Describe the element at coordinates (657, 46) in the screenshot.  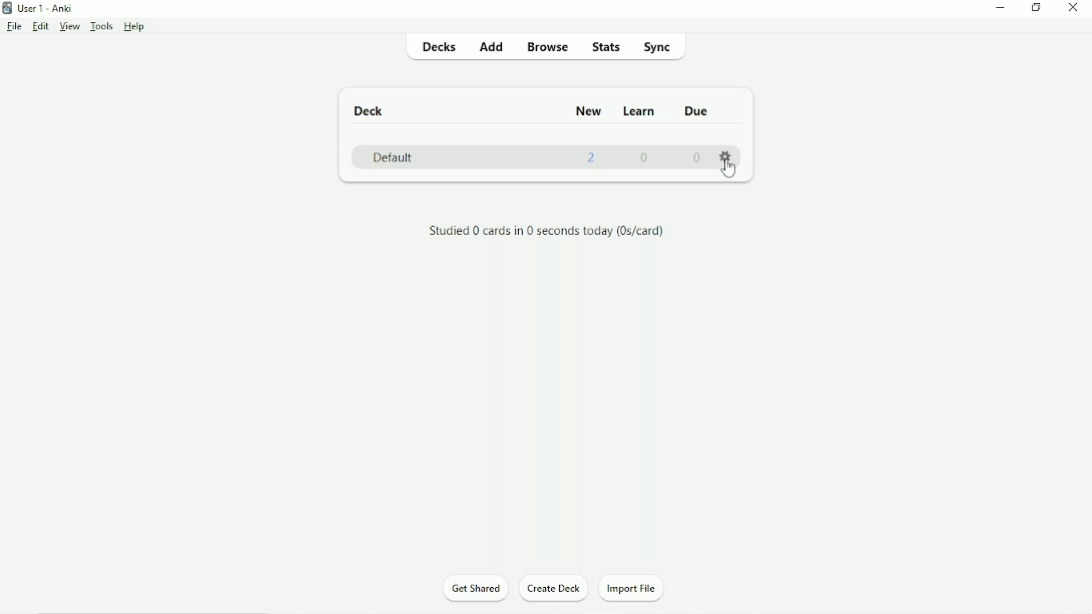
I see `Sync` at that location.